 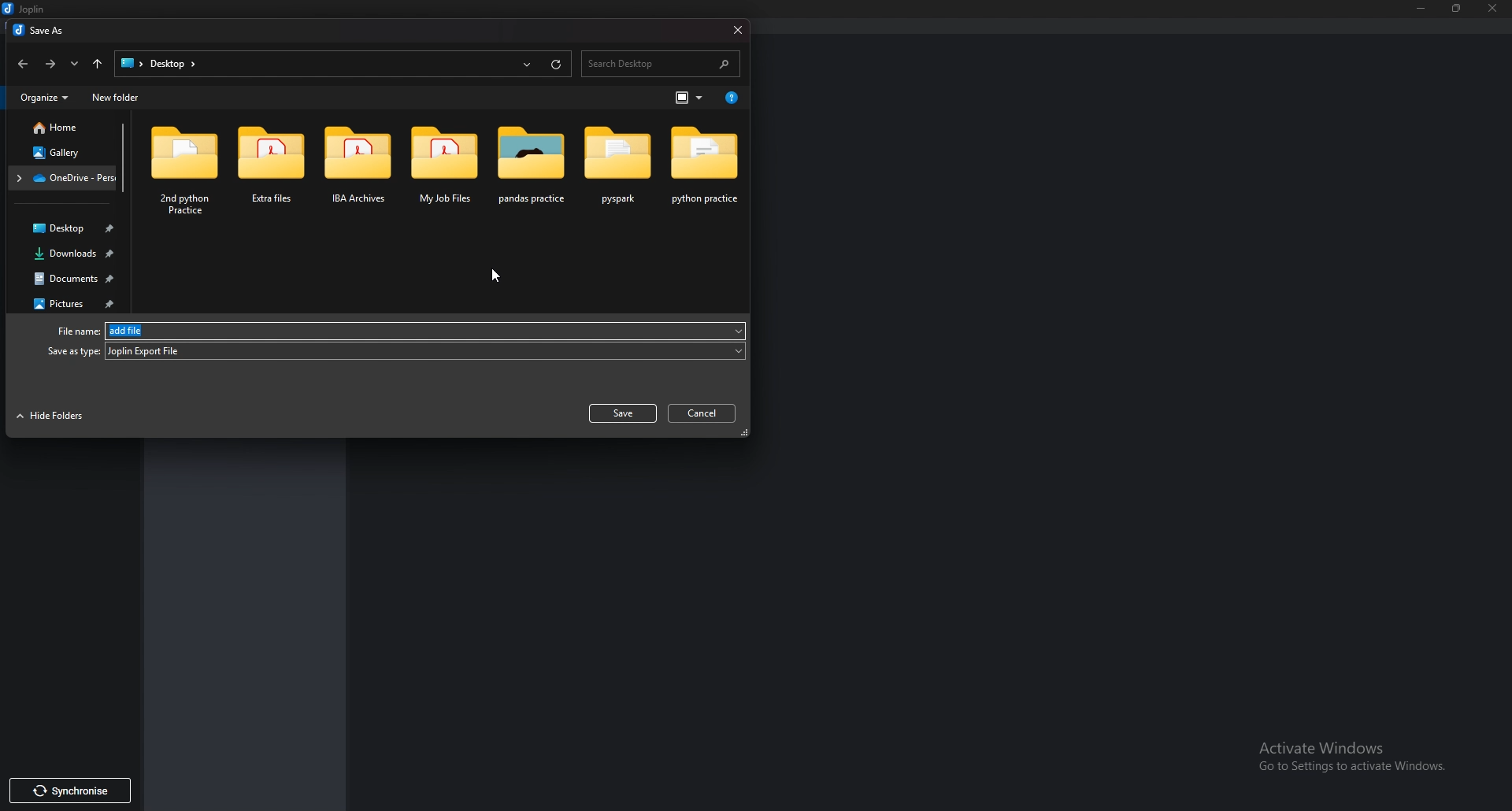 I want to click on cancel, so click(x=701, y=413).